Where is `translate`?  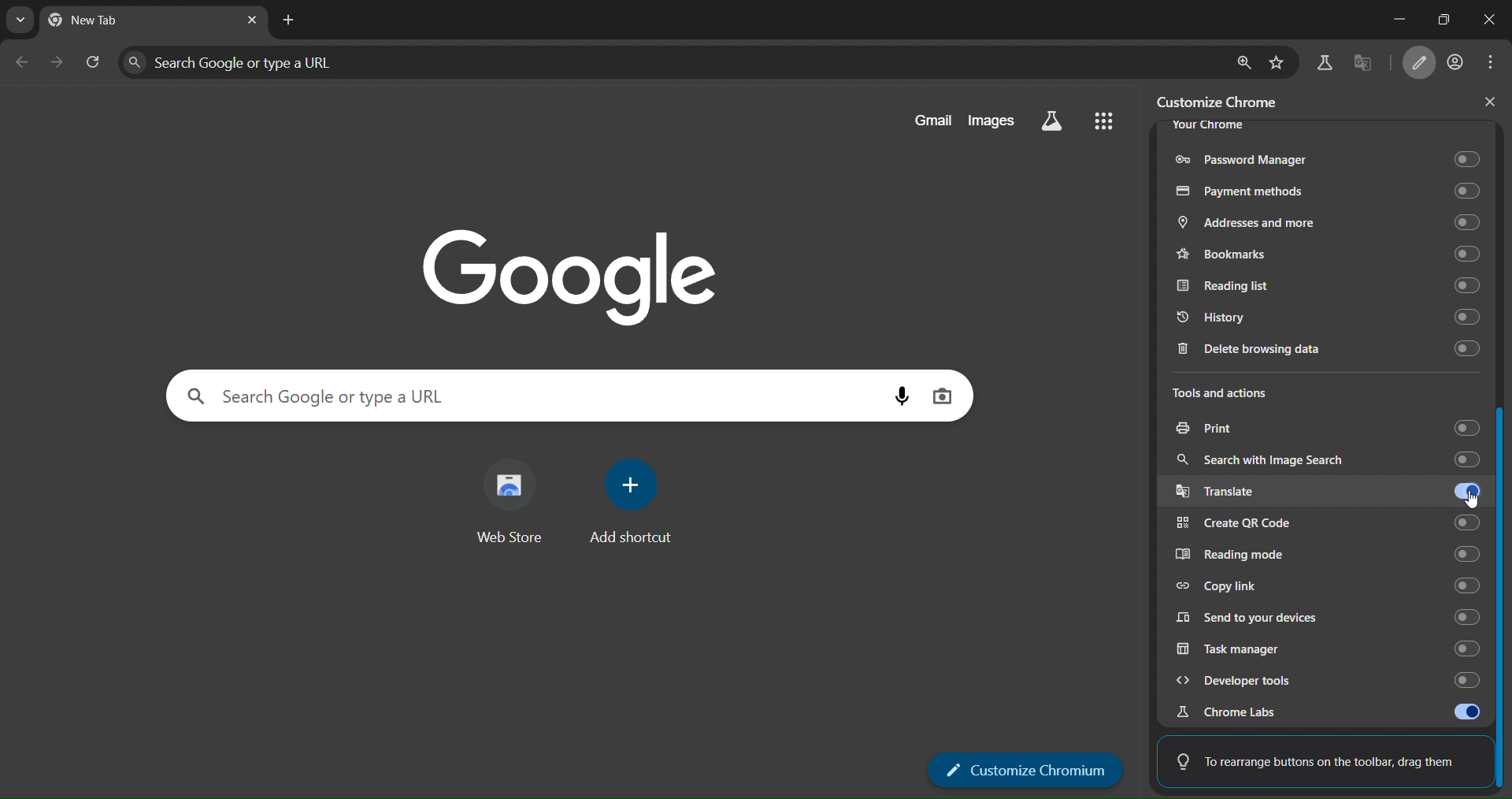 translate is located at coordinates (1367, 61).